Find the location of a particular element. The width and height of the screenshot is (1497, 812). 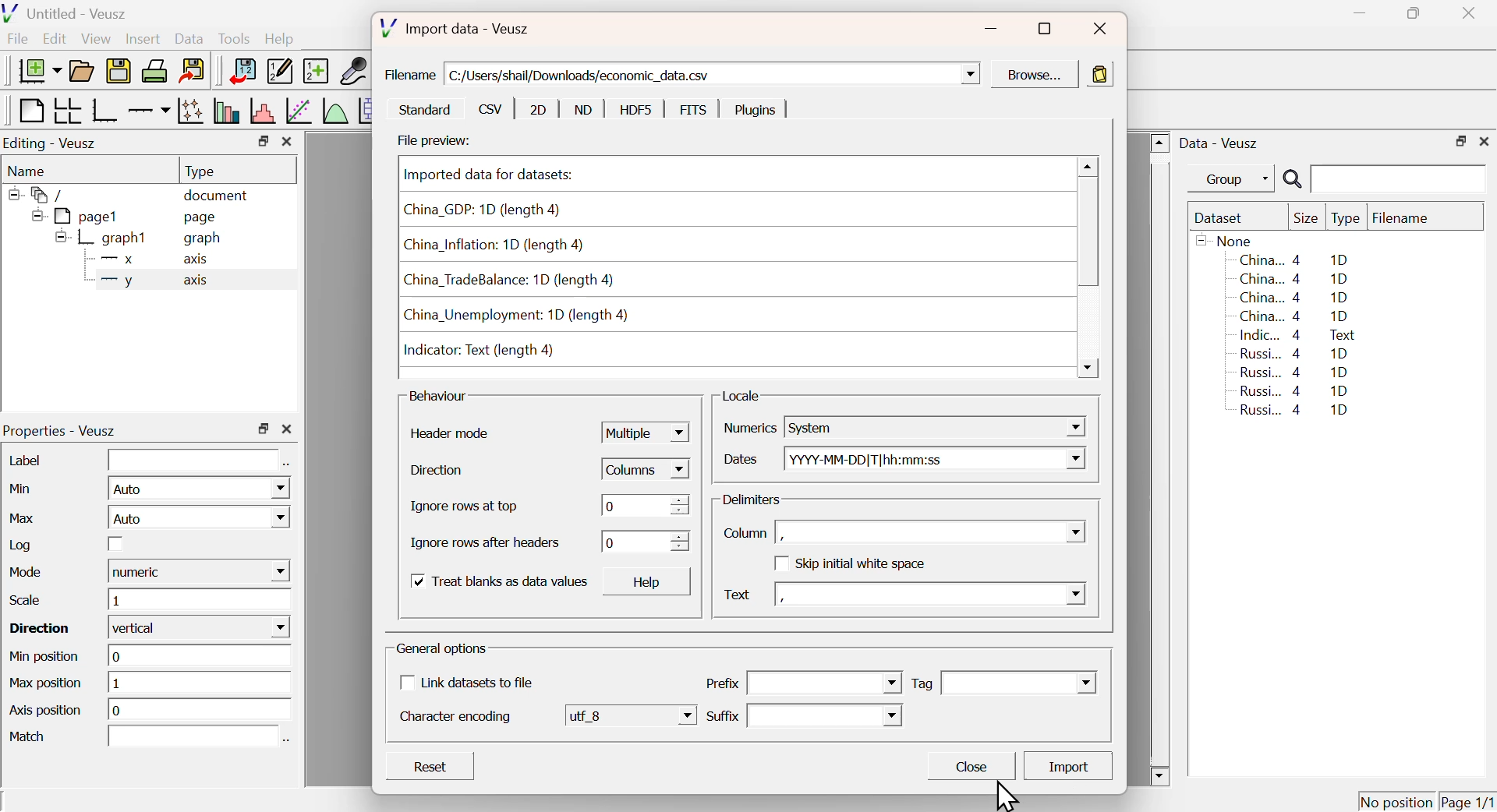

Multiple is located at coordinates (645, 432).